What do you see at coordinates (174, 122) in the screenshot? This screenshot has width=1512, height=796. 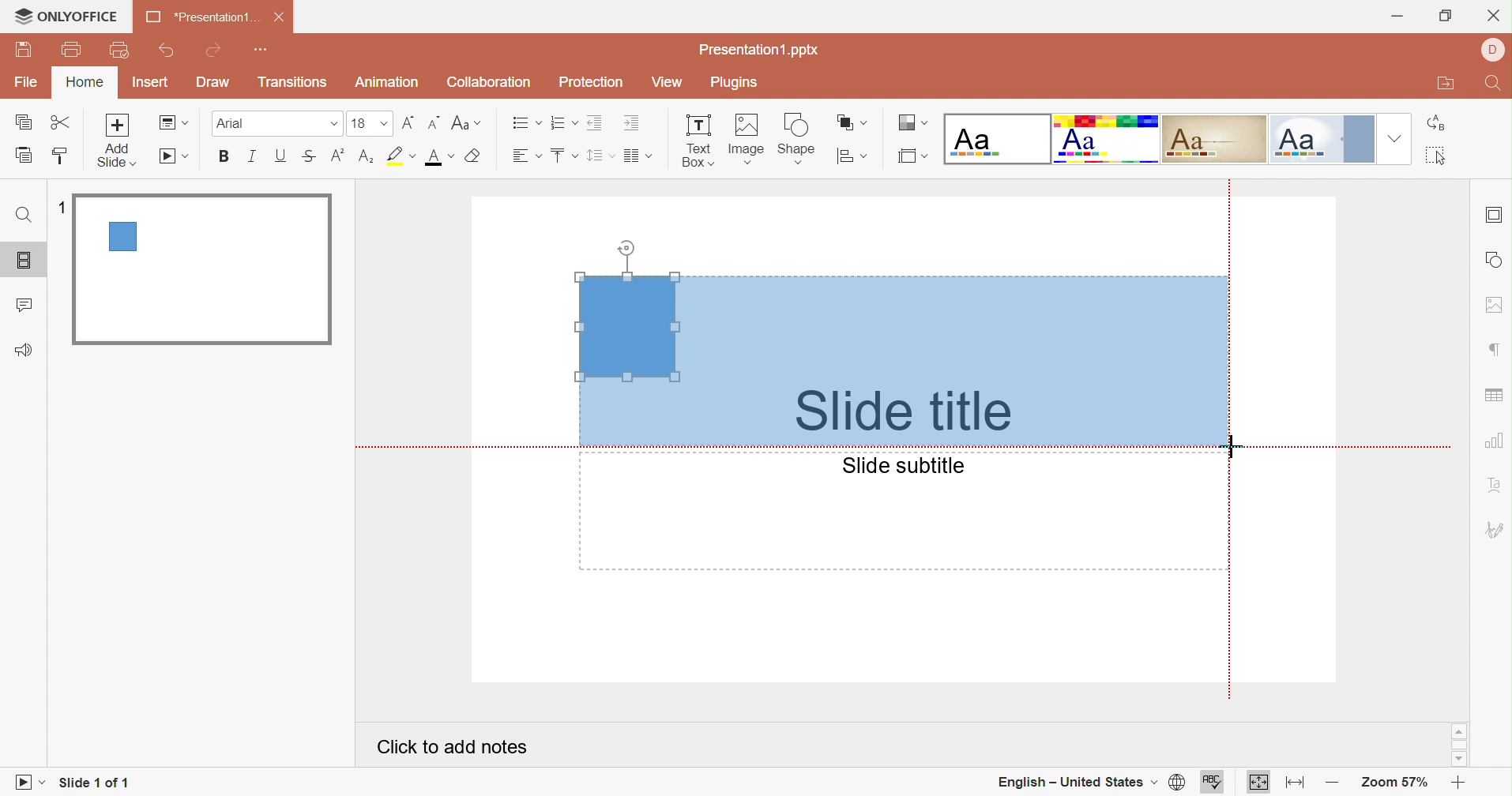 I see `Change slide layout` at bounding box center [174, 122].